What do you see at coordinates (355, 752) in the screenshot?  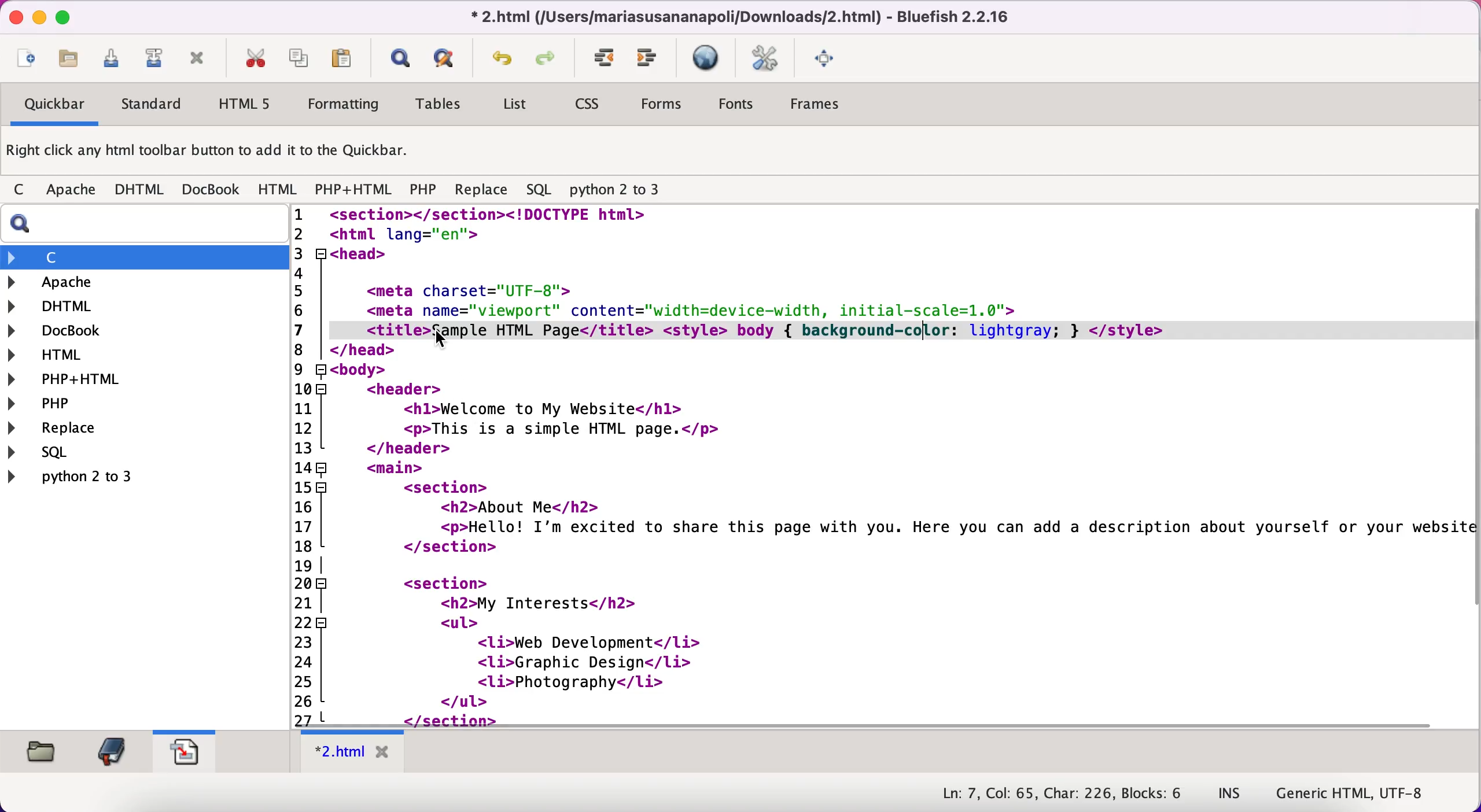 I see `* 2.html` at bounding box center [355, 752].